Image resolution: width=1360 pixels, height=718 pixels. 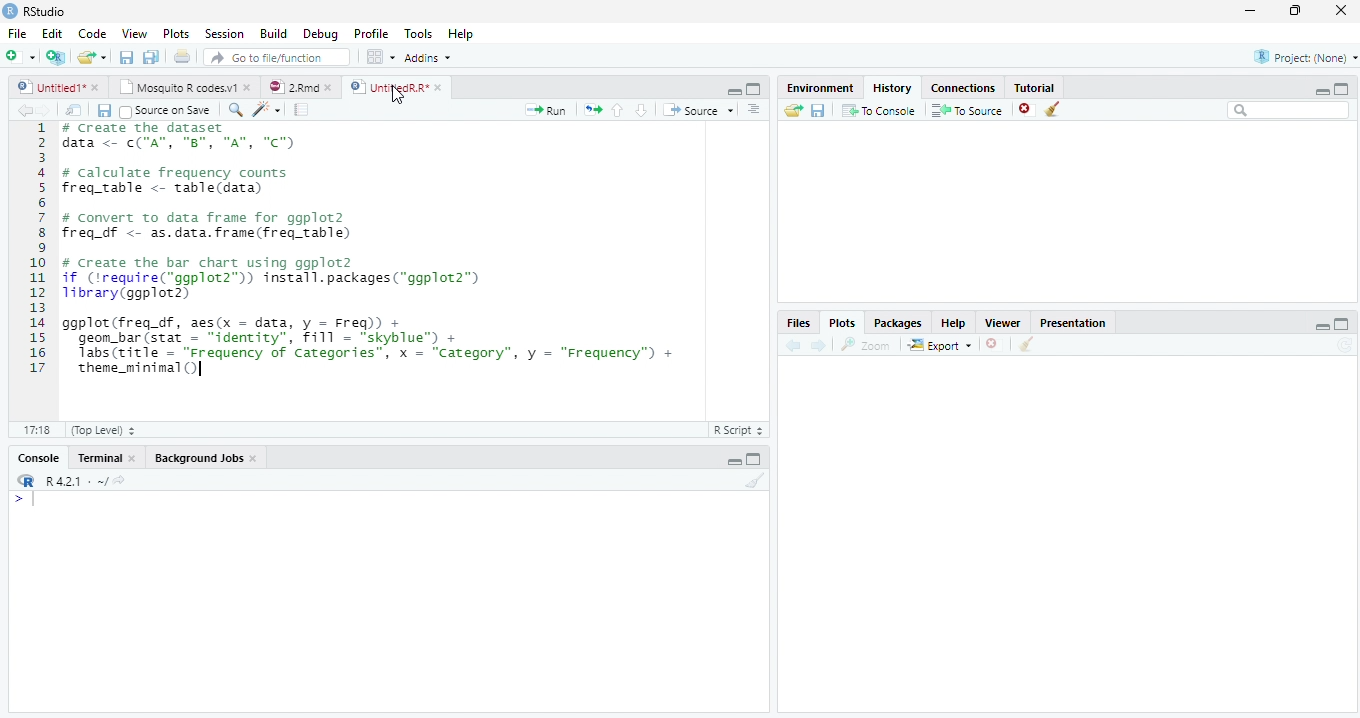 What do you see at coordinates (167, 110) in the screenshot?
I see `Source on Save` at bounding box center [167, 110].